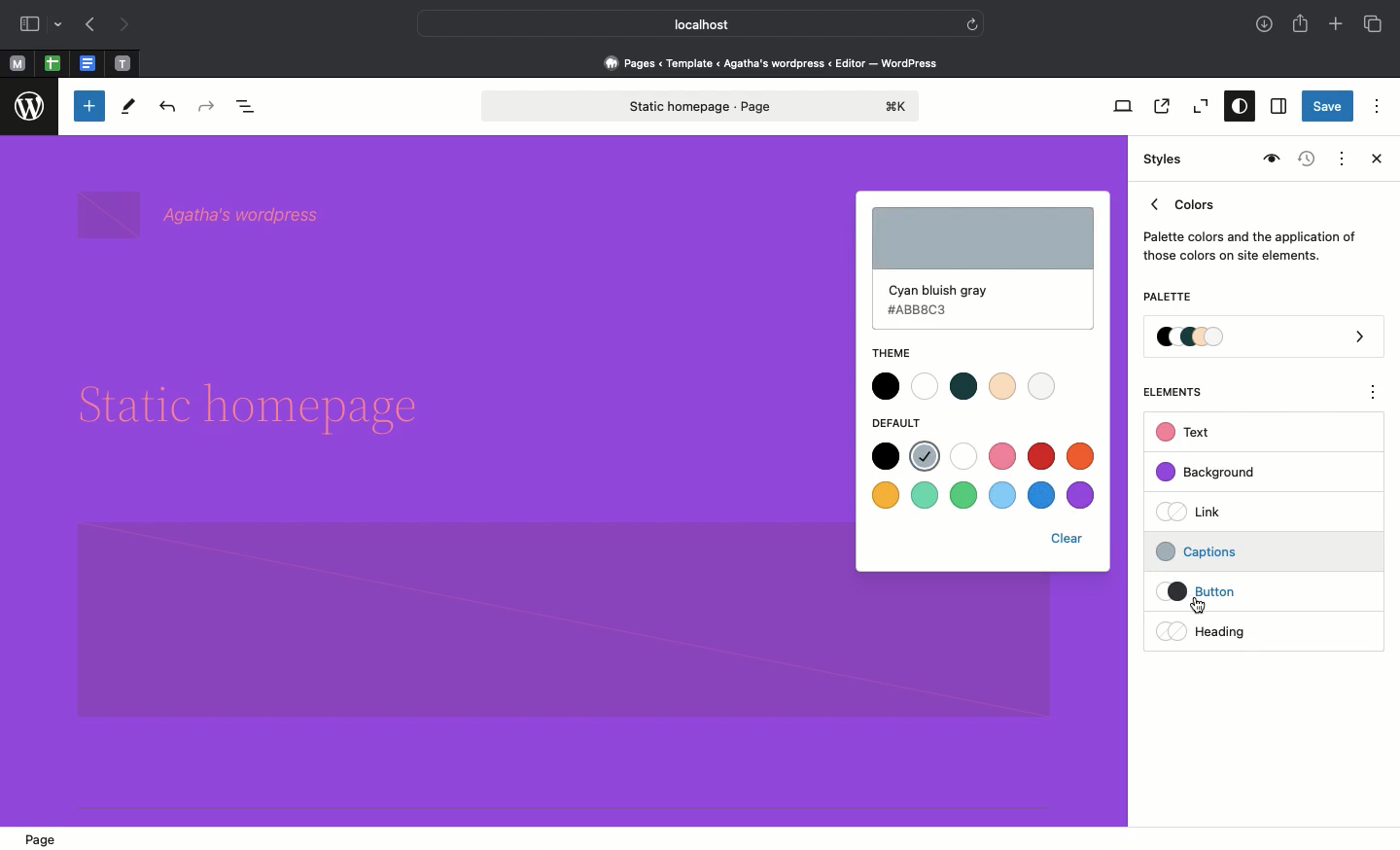 This screenshot has height=850, width=1400. Describe the element at coordinates (1265, 338) in the screenshot. I see `Palette` at that location.